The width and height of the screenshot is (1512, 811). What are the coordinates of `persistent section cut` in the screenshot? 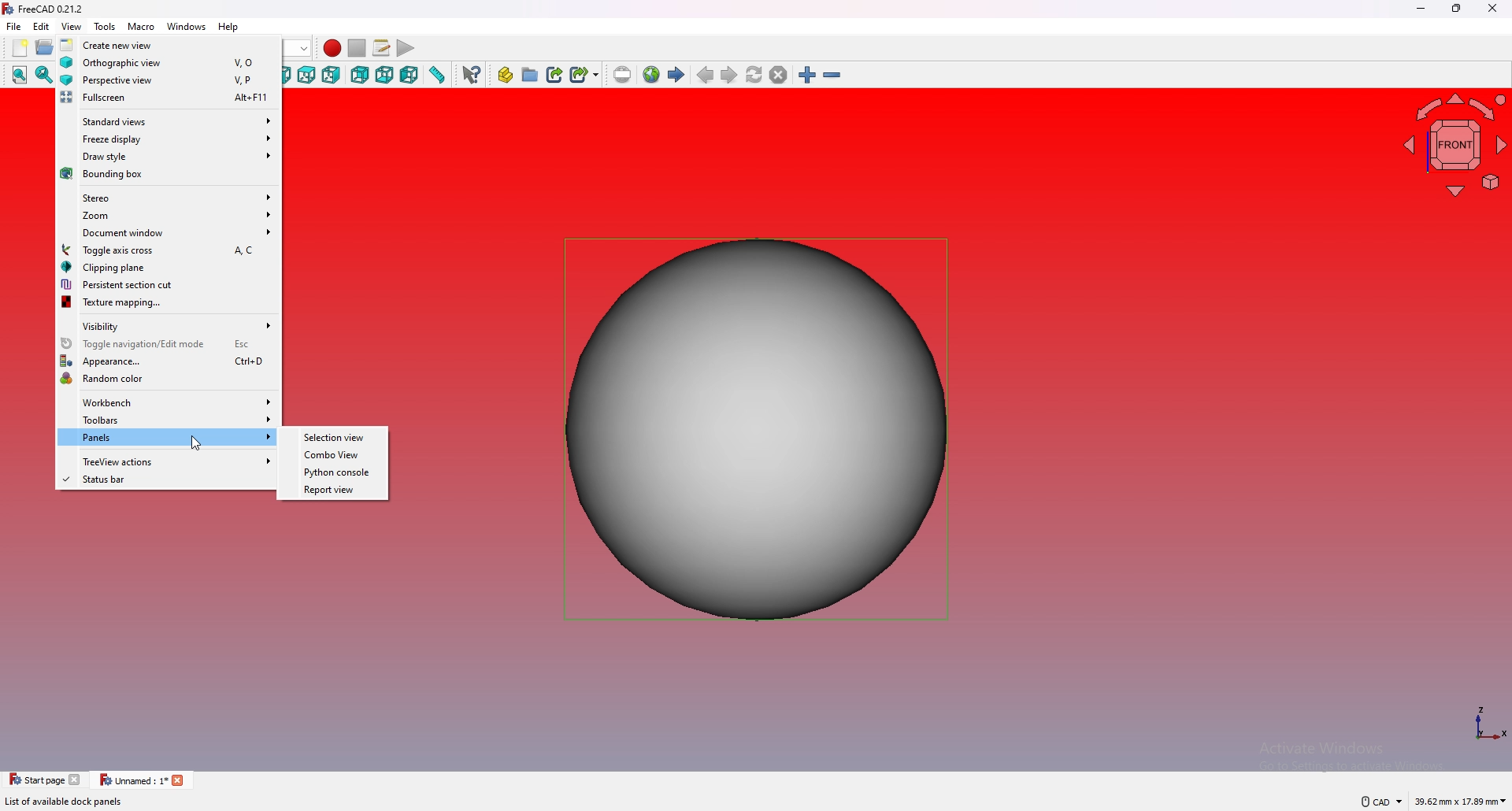 It's located at (168, 284).